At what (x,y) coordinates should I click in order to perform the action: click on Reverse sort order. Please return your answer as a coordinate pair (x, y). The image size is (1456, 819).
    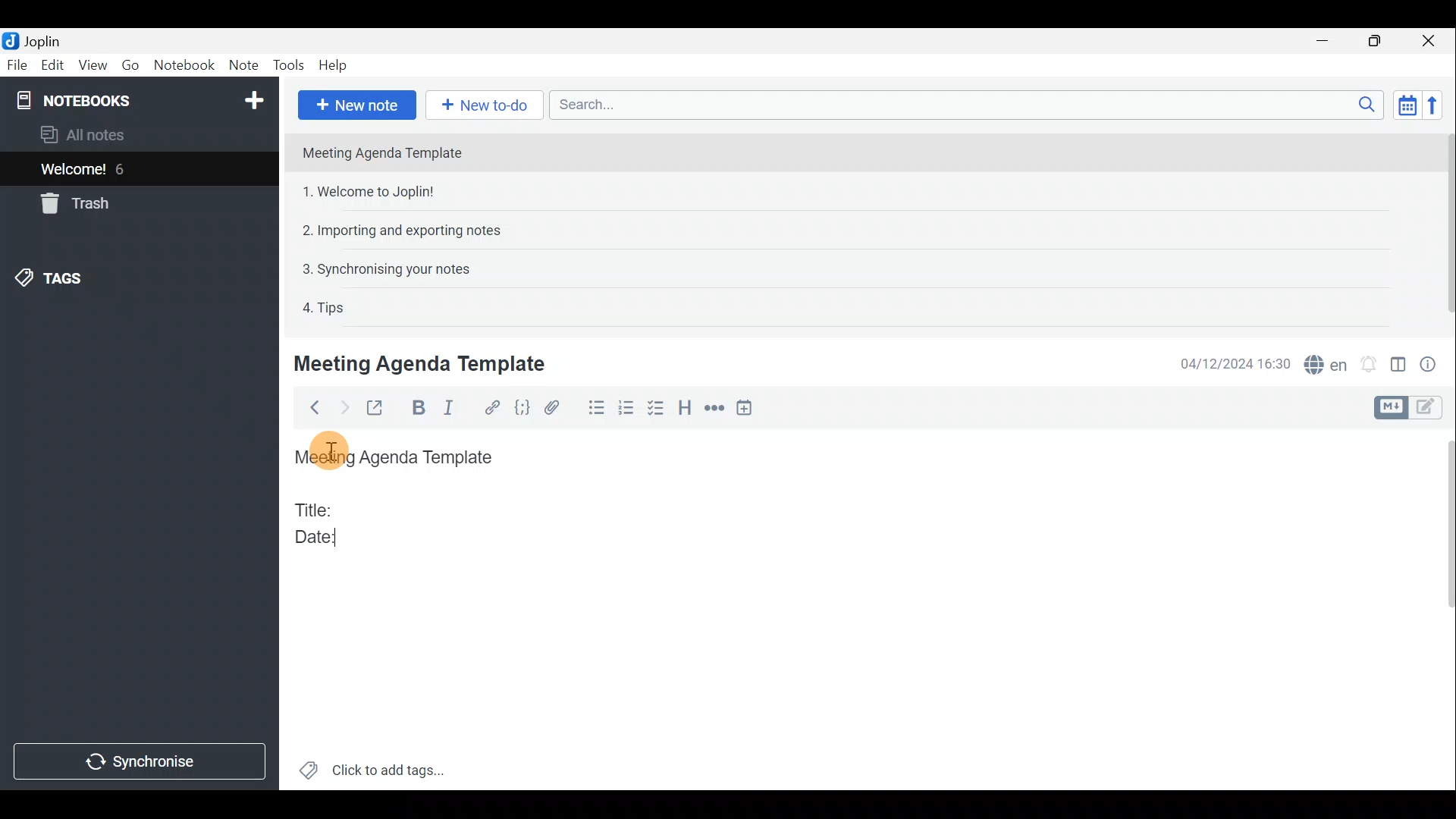
    Looking at the image, I should click on (1434, 105).